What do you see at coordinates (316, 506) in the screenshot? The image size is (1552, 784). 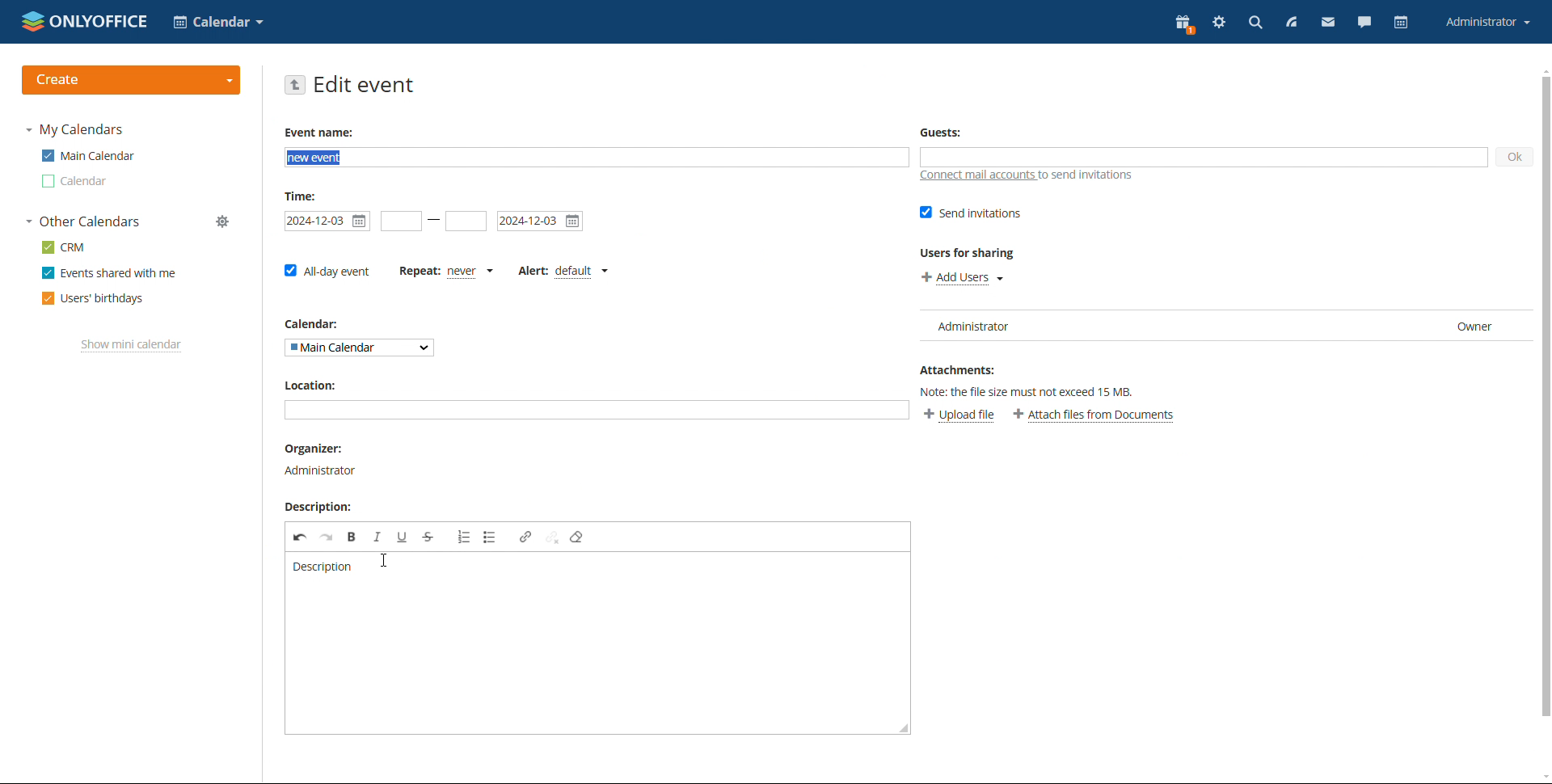 I see `Description:` at bounding box center [316, 506].